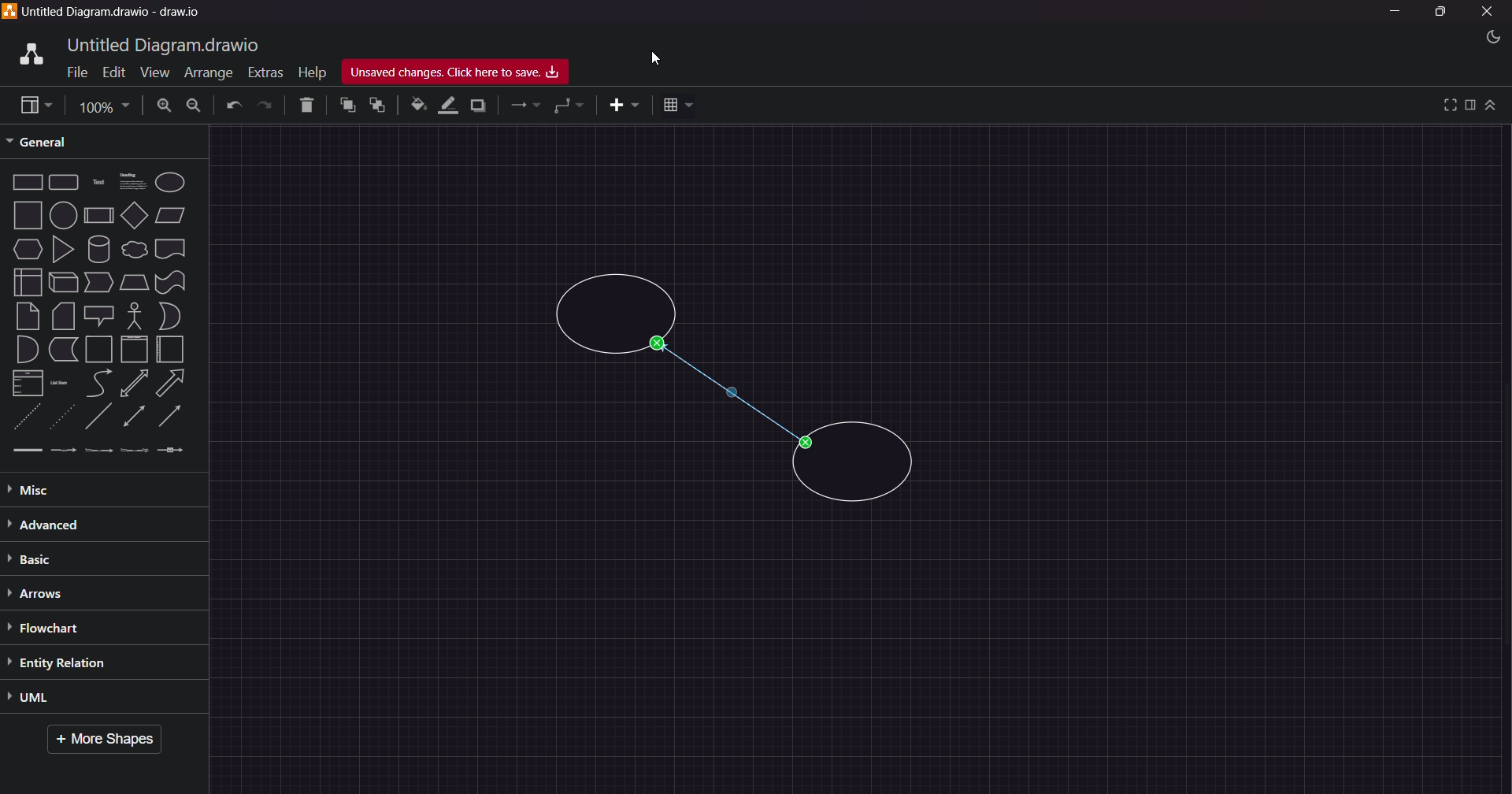  I want to click on Help, so click(312, 69).